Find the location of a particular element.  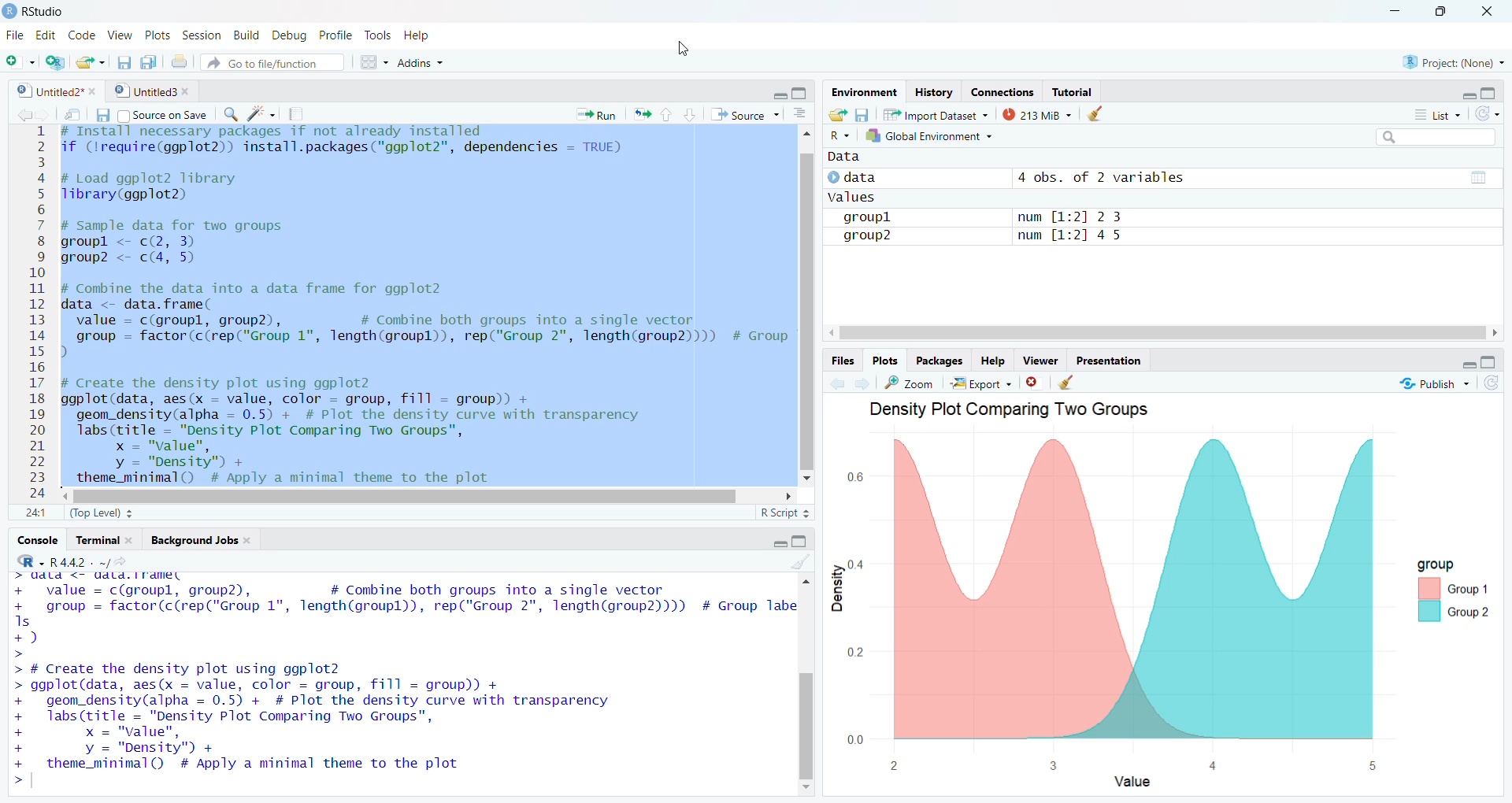

save is located at coordinates (100, 114).